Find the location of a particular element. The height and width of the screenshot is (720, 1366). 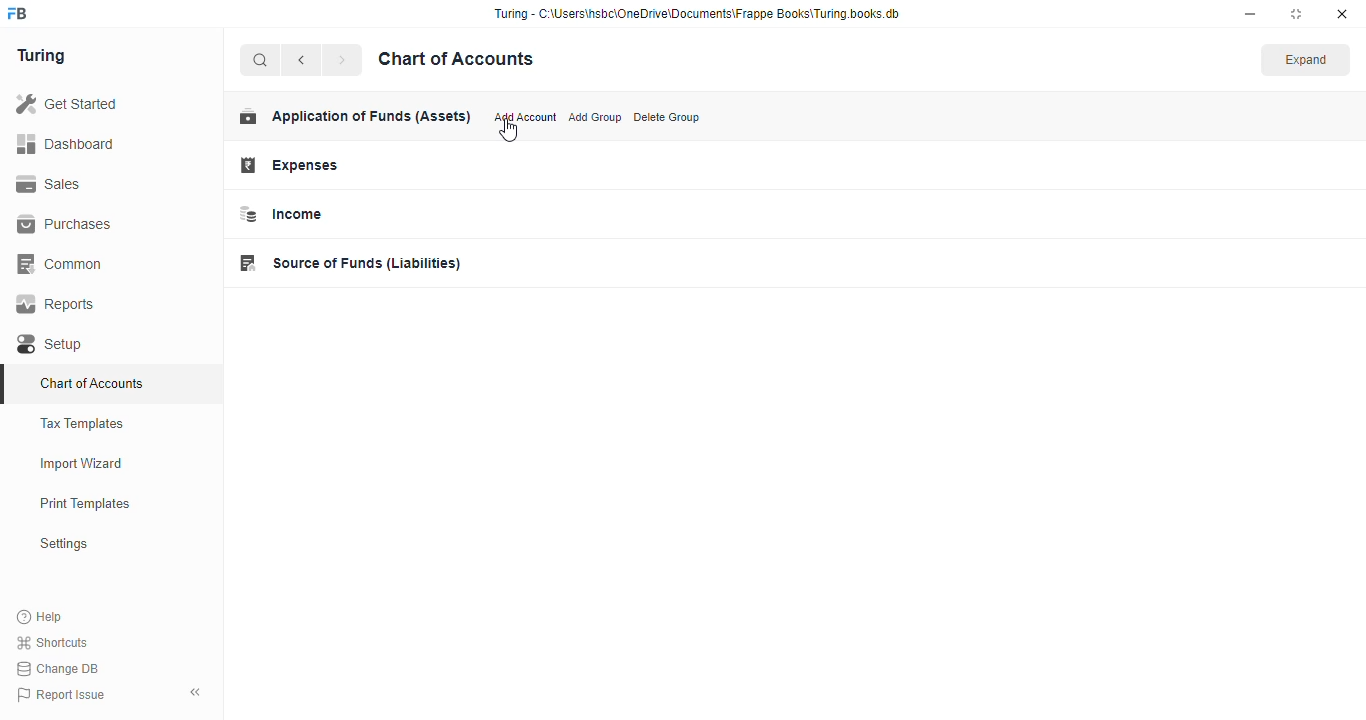

income is located at coordinates (281, 214).